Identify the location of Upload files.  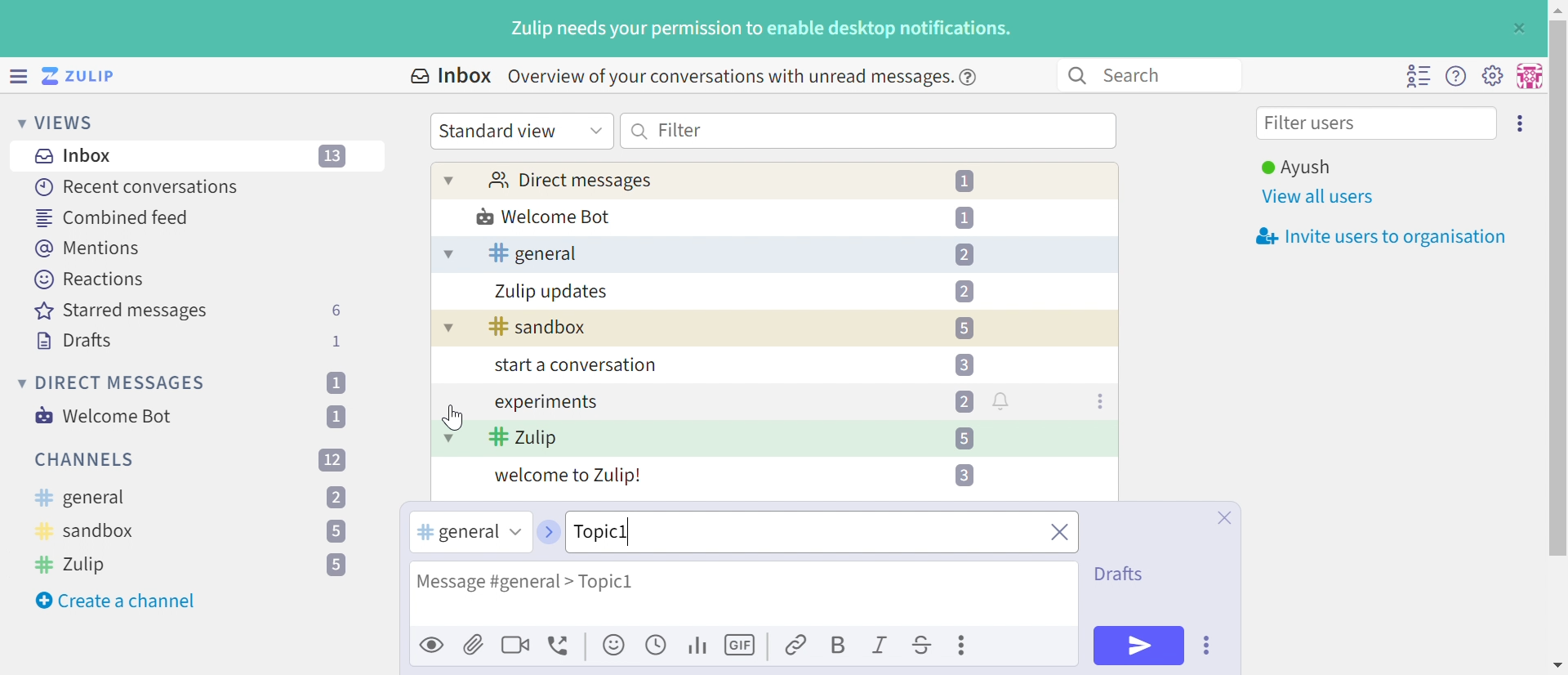
(474, 644).